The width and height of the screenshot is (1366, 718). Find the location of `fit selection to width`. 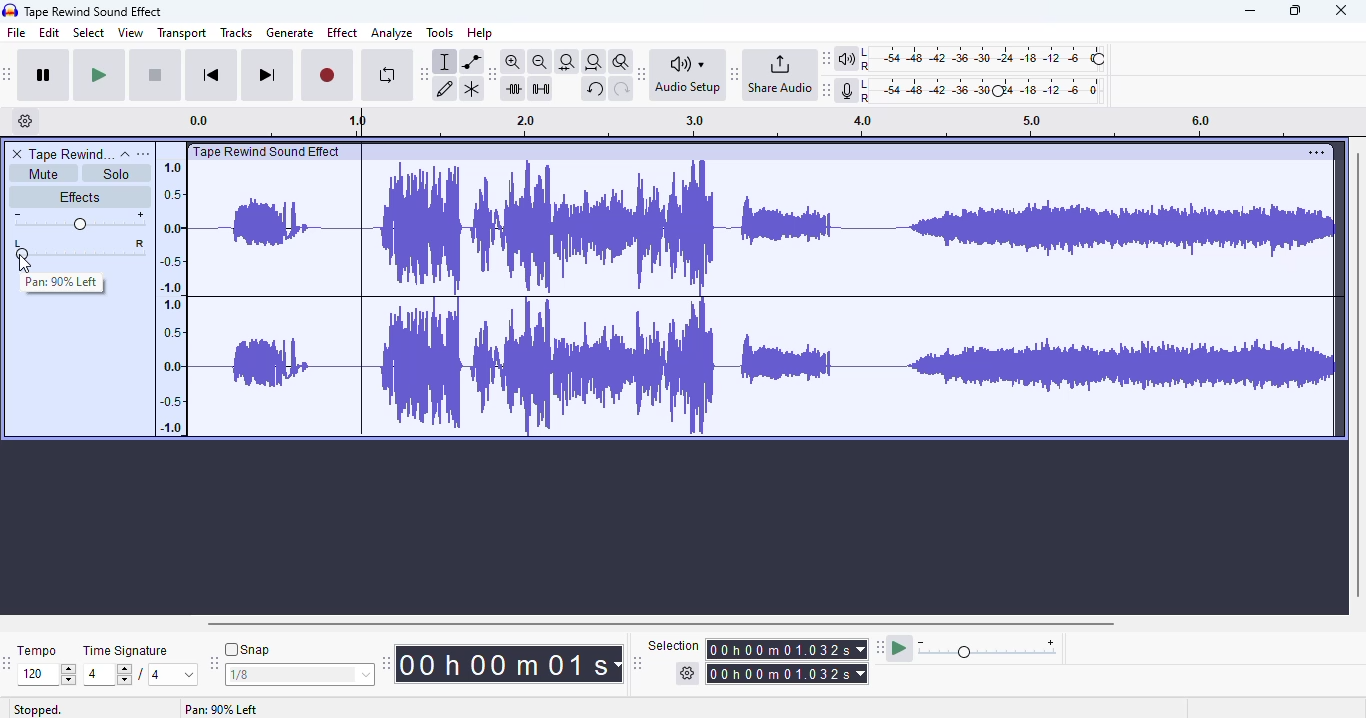

fit selection to width is located at coordinates (567, 63).